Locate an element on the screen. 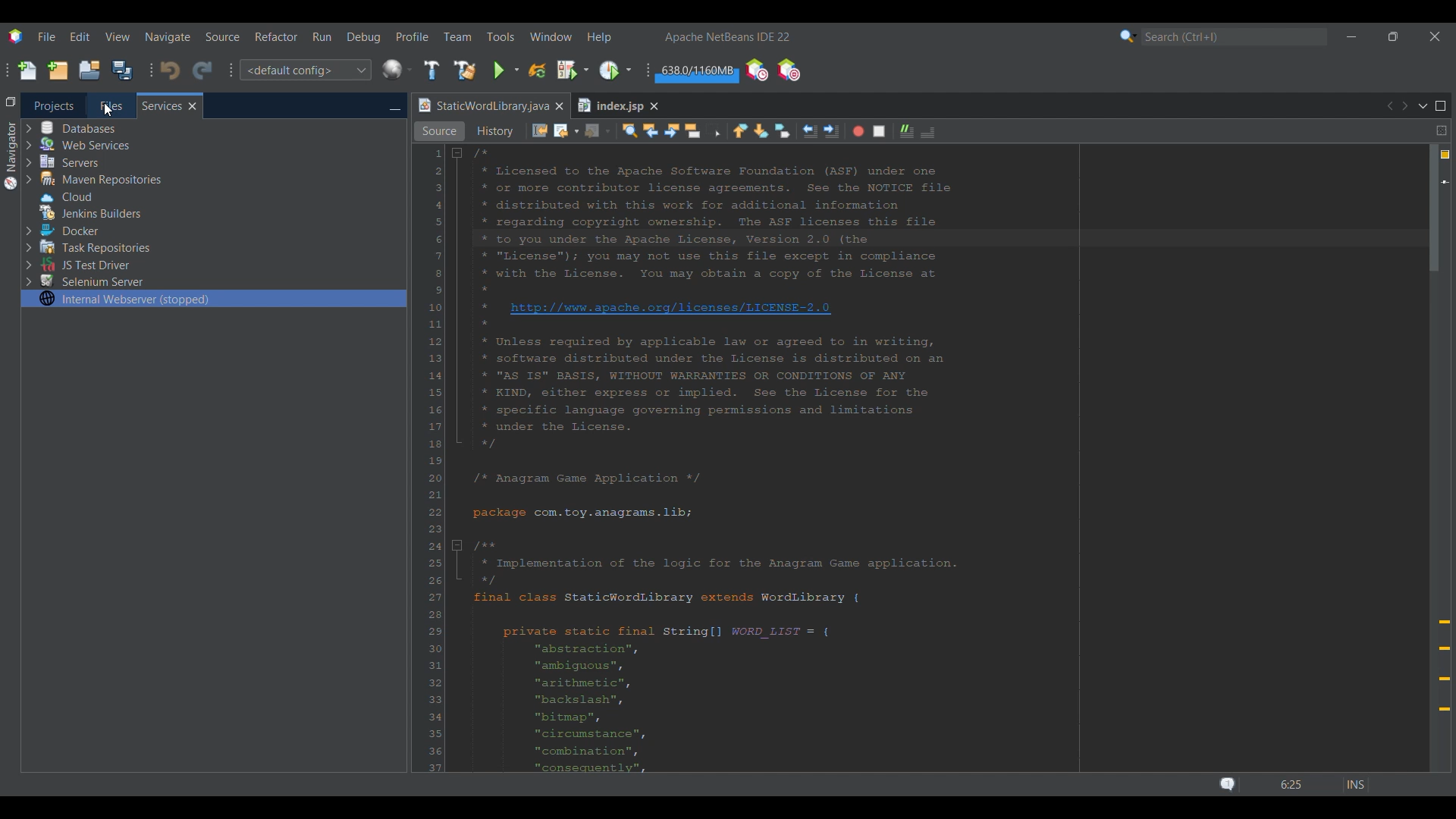  Split window horizontally or vertically is located at coordinates (1442, 130).